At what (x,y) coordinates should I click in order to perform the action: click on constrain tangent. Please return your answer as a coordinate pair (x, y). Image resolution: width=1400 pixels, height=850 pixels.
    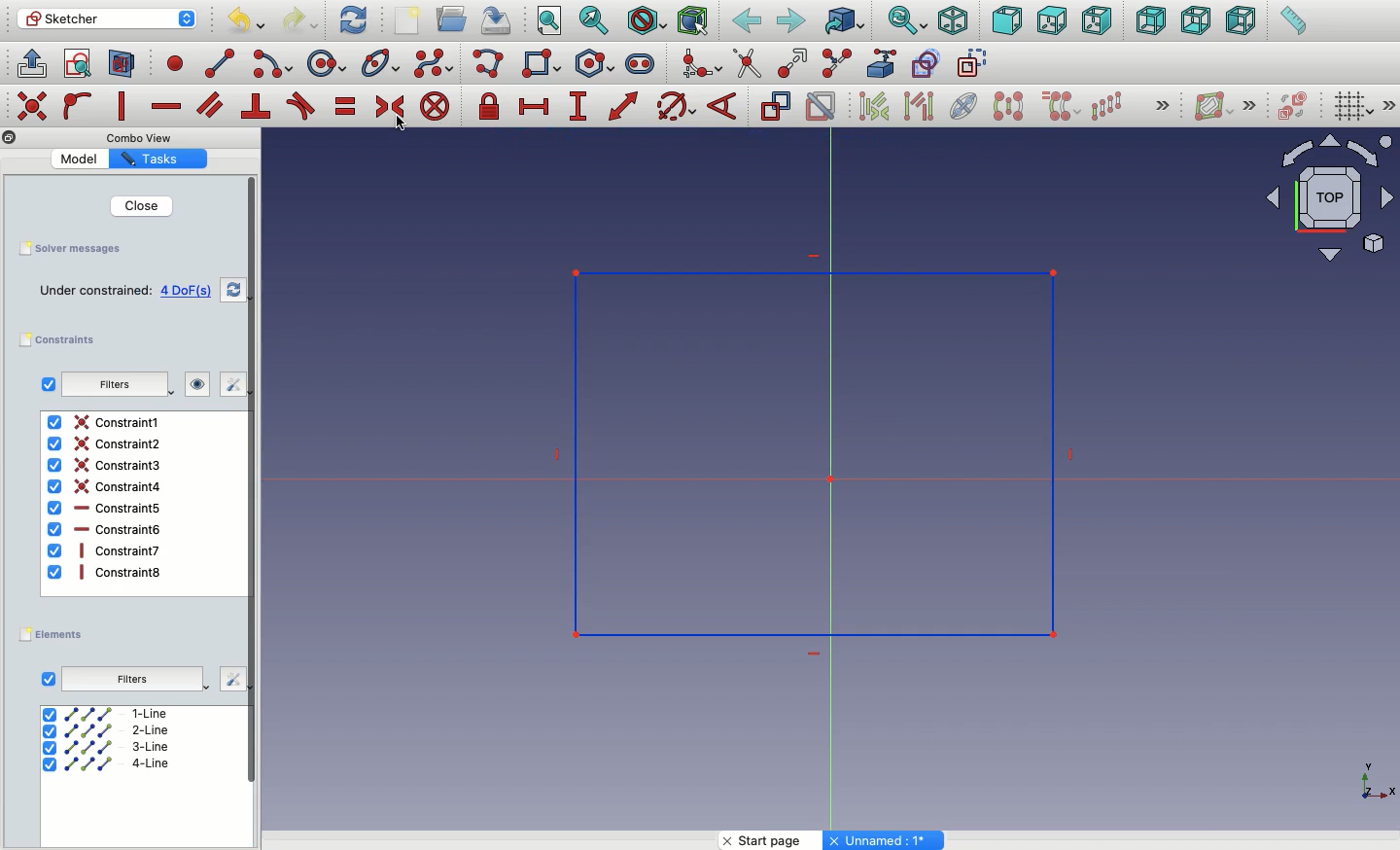
    Looking at the image, I should click on (301, 106).